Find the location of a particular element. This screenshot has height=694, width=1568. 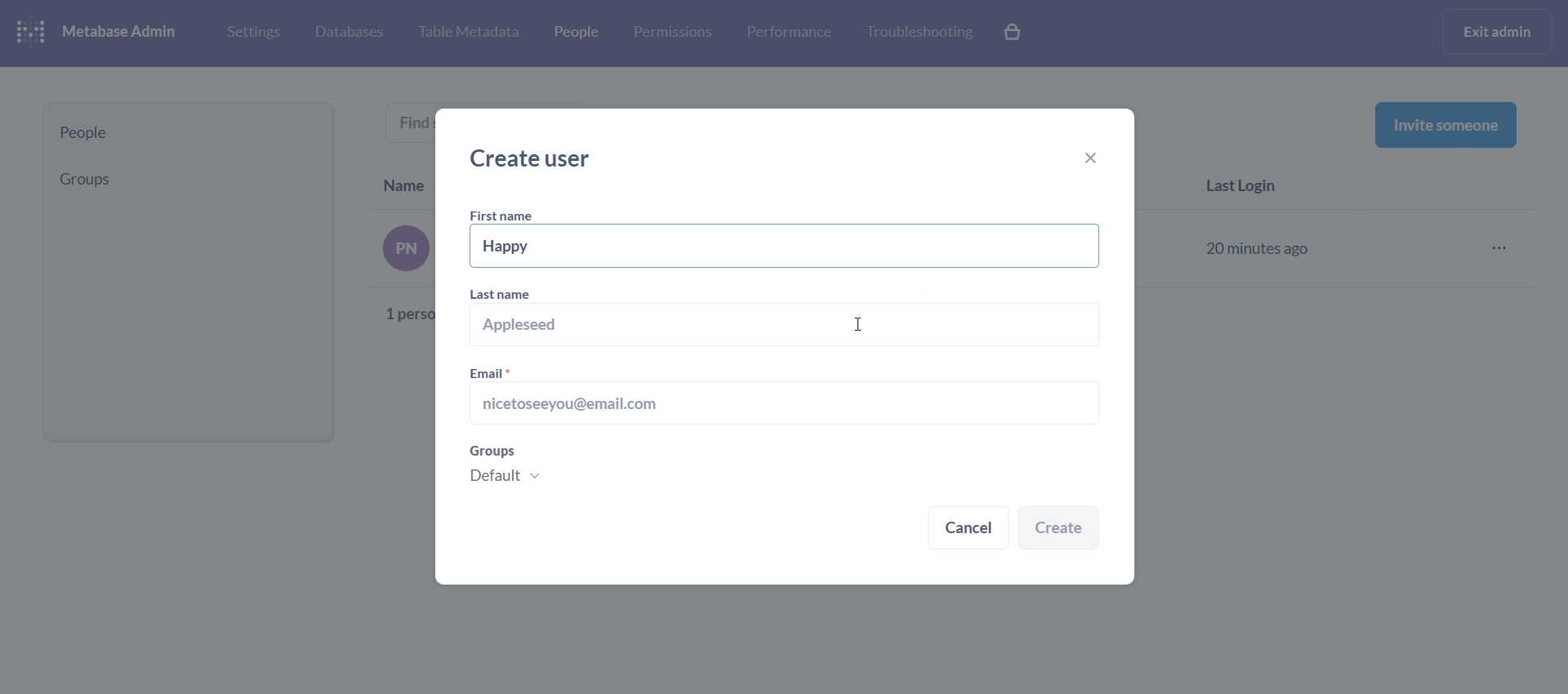

permissions is located at coordinates (673, 33).